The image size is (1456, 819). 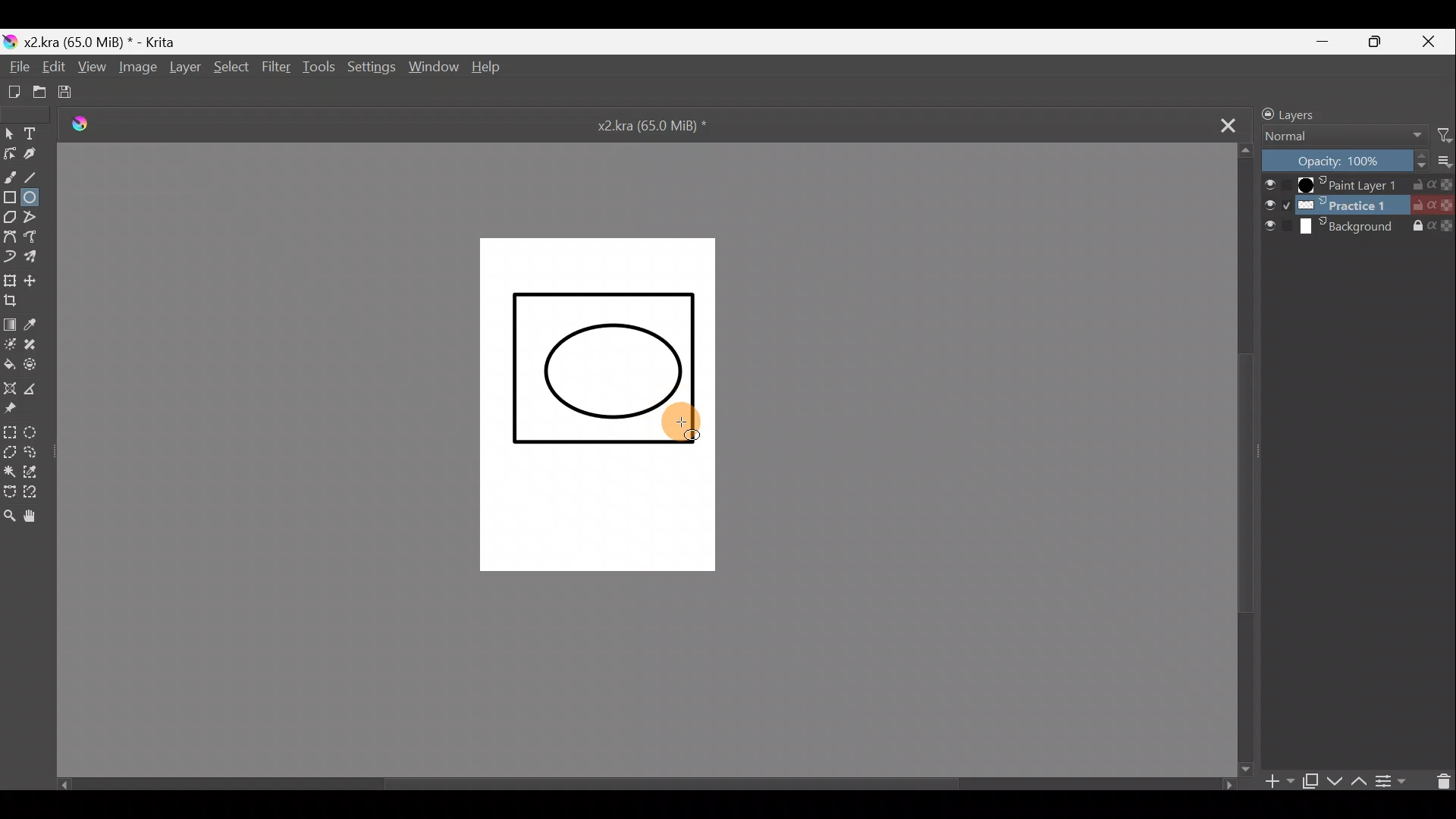 What do you see at coordinates (38, 155) in the screenshot?
I see `Calligraphy` at bounding box center [38, 155].